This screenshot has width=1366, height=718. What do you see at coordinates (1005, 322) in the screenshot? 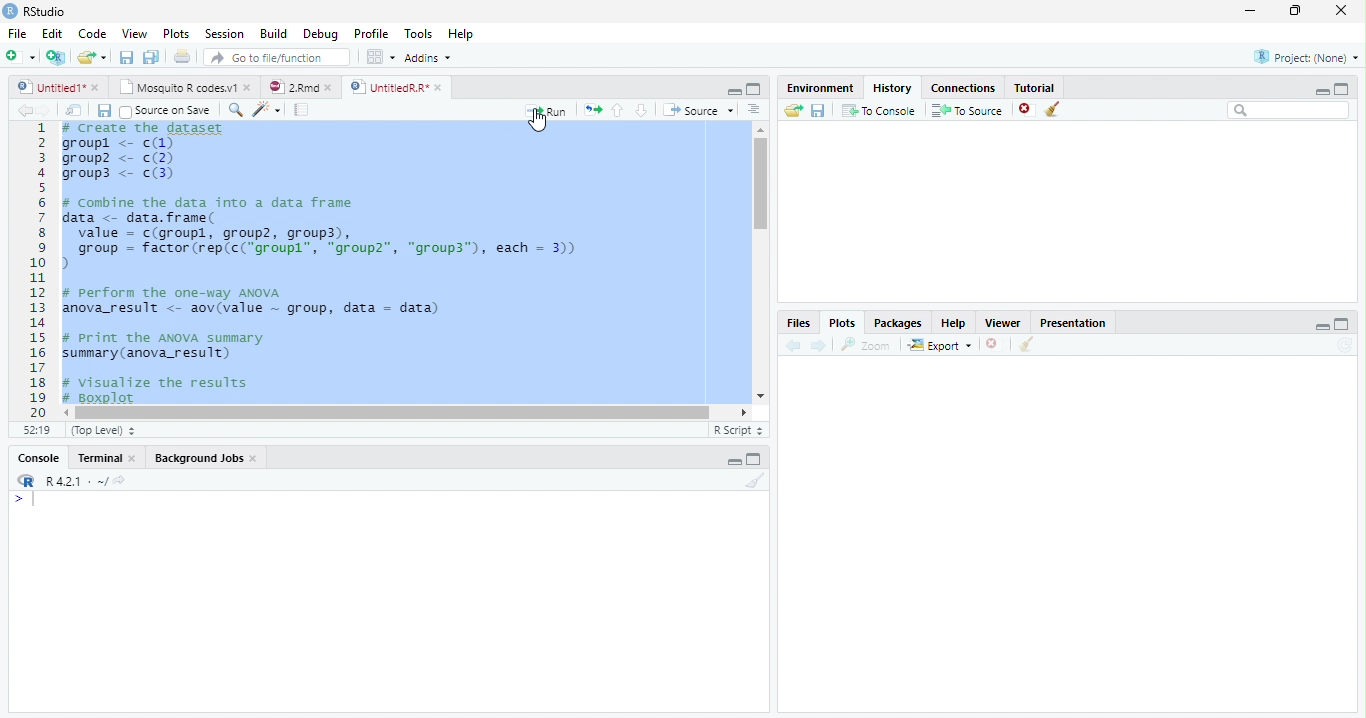
I see `Viewer` at bounding box center [1005, 322].